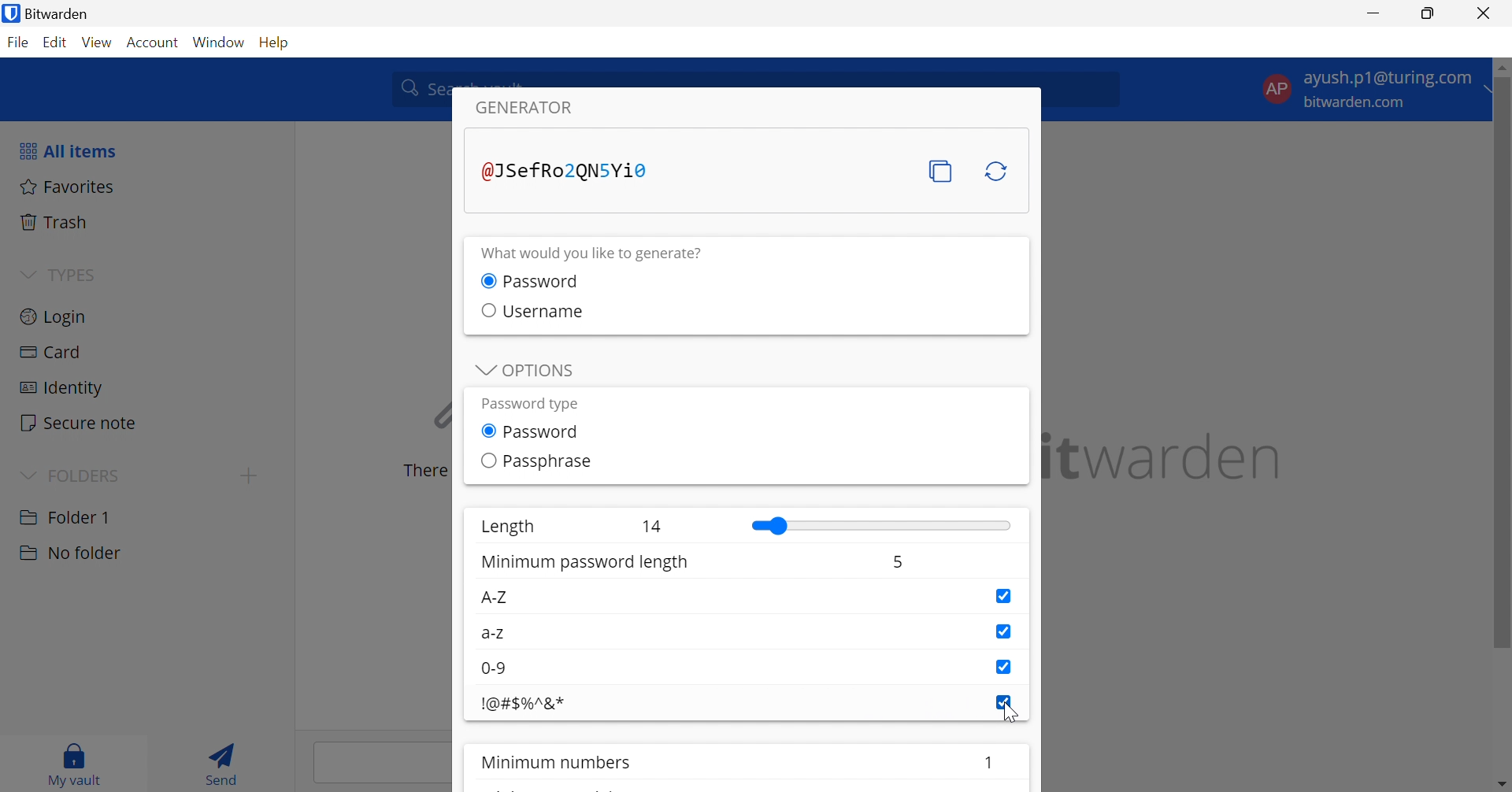 The image size is (1512, 792). Describe the element at coordinates (28, 272) in the screenshot. I see `Drop Down` at that location.